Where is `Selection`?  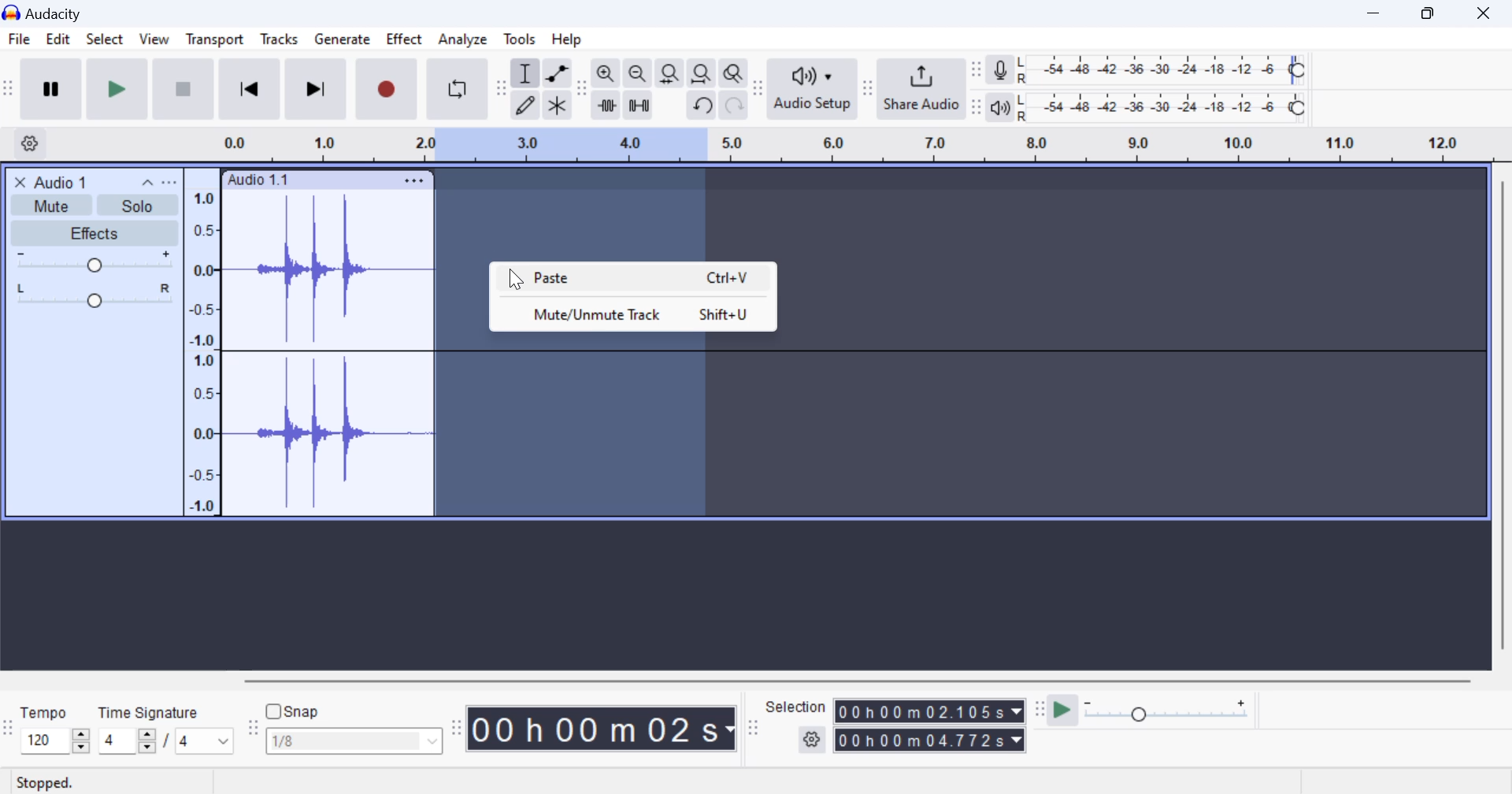
Selection is located at coordinates (796, 707).